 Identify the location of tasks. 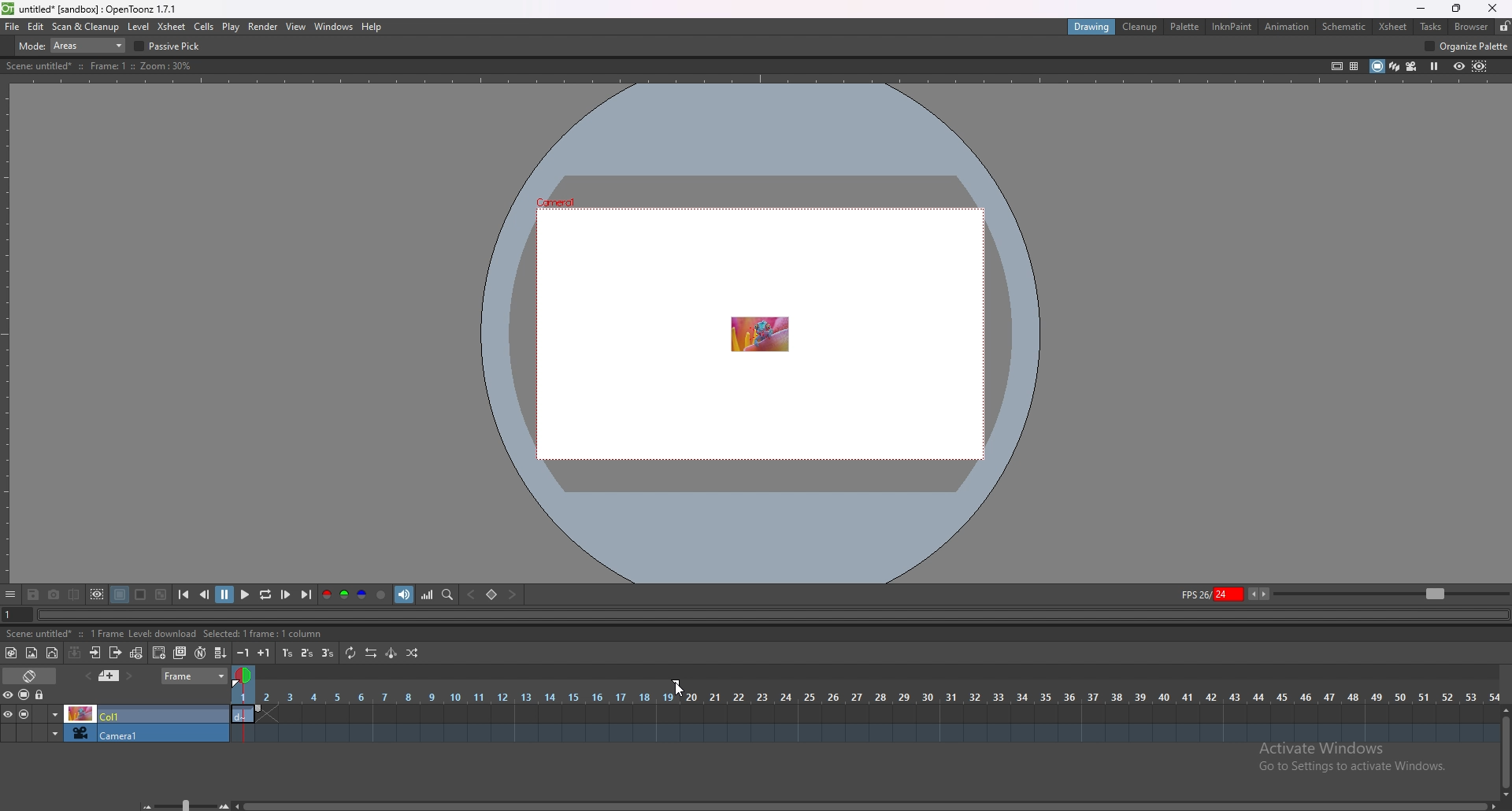
(1430, 26).